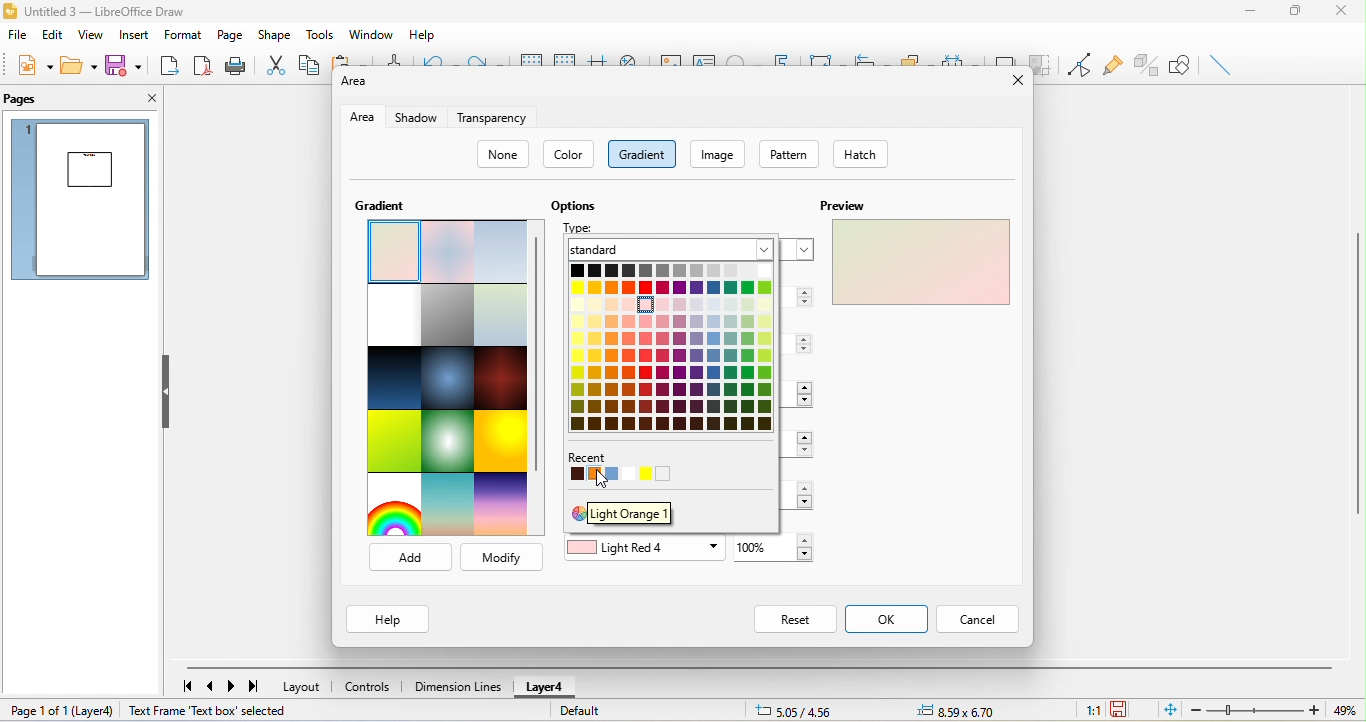 This screenshot has height=722, width=1366. Describe the element at coordinates (1253, 11) in the screenshot. I see `minimize` at that location.